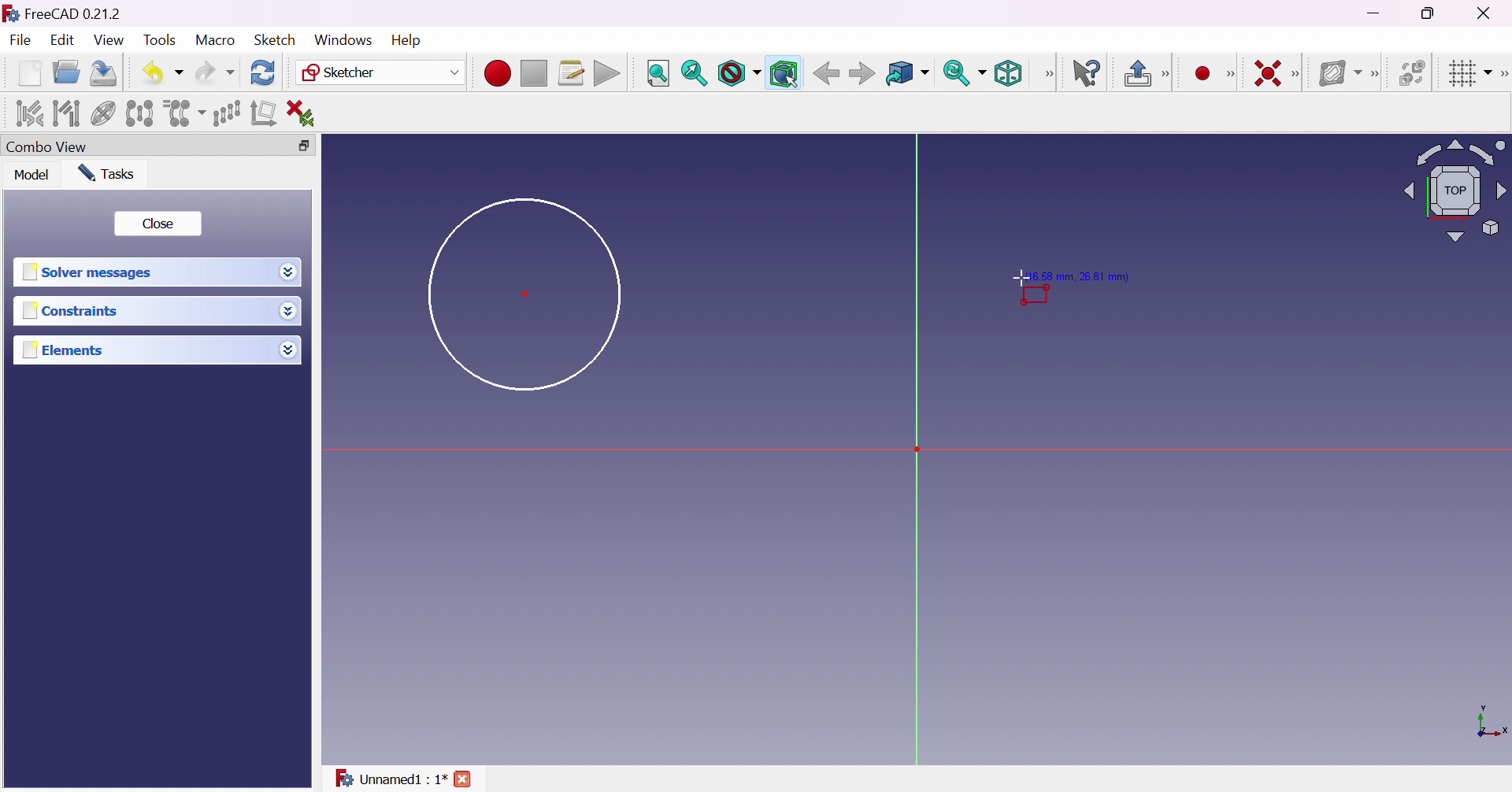 Image resolution: width=1512 pixels, height=792 pixels. Describe the element at coordinates (157, 224) in the screenshot. I see `Close` at that location.